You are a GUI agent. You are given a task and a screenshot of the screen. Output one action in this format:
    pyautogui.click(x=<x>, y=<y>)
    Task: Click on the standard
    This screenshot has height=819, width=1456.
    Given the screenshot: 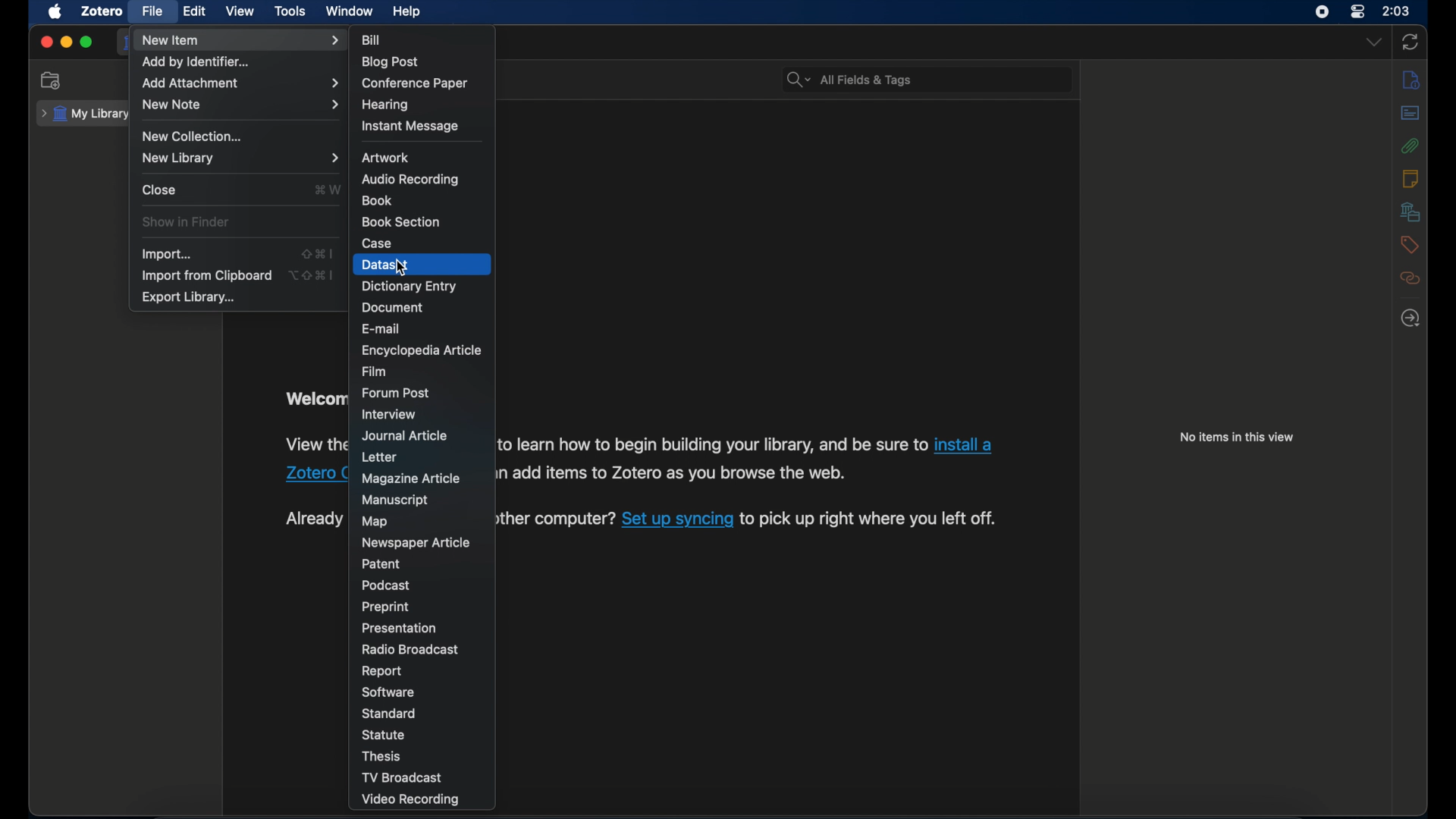 What is the action you would take?
    pyautogui.click(x=388, y=713)
    